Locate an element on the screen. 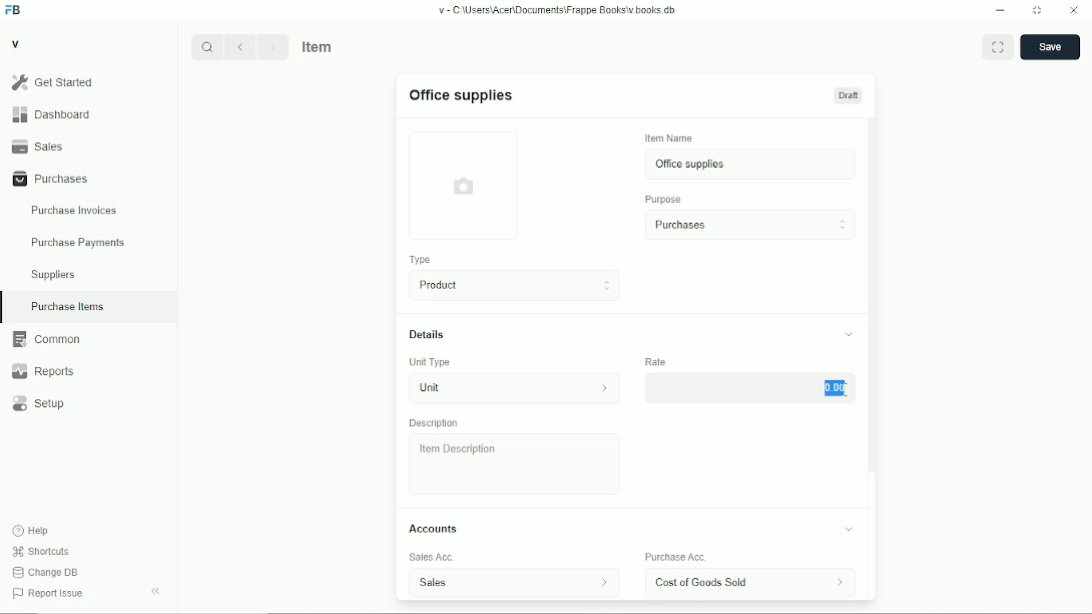 This screenshot has height=614, width=1092. help is located at coordinates (32, 531).